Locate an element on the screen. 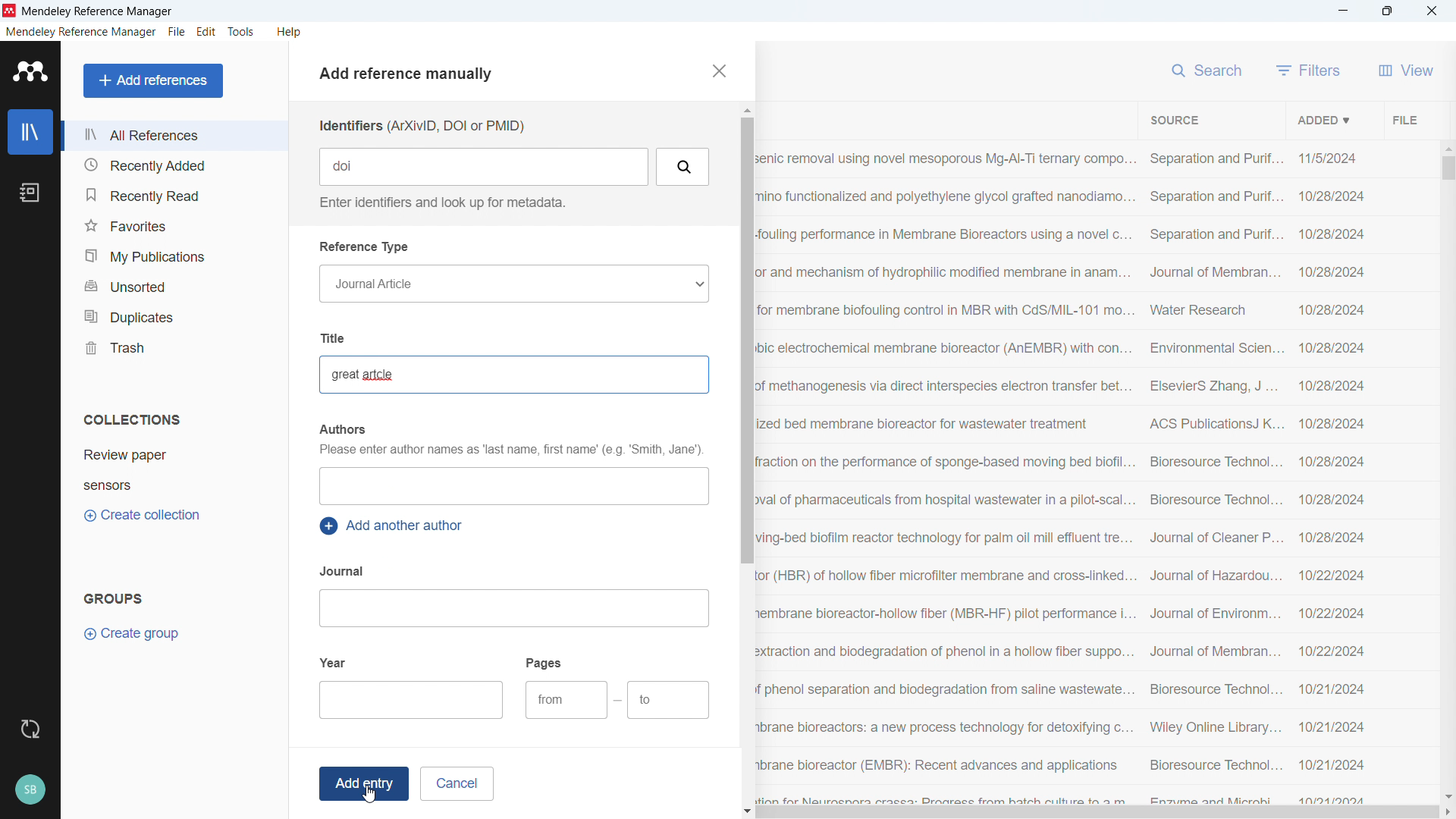  Notebook  is located at coordinates (30, 193).